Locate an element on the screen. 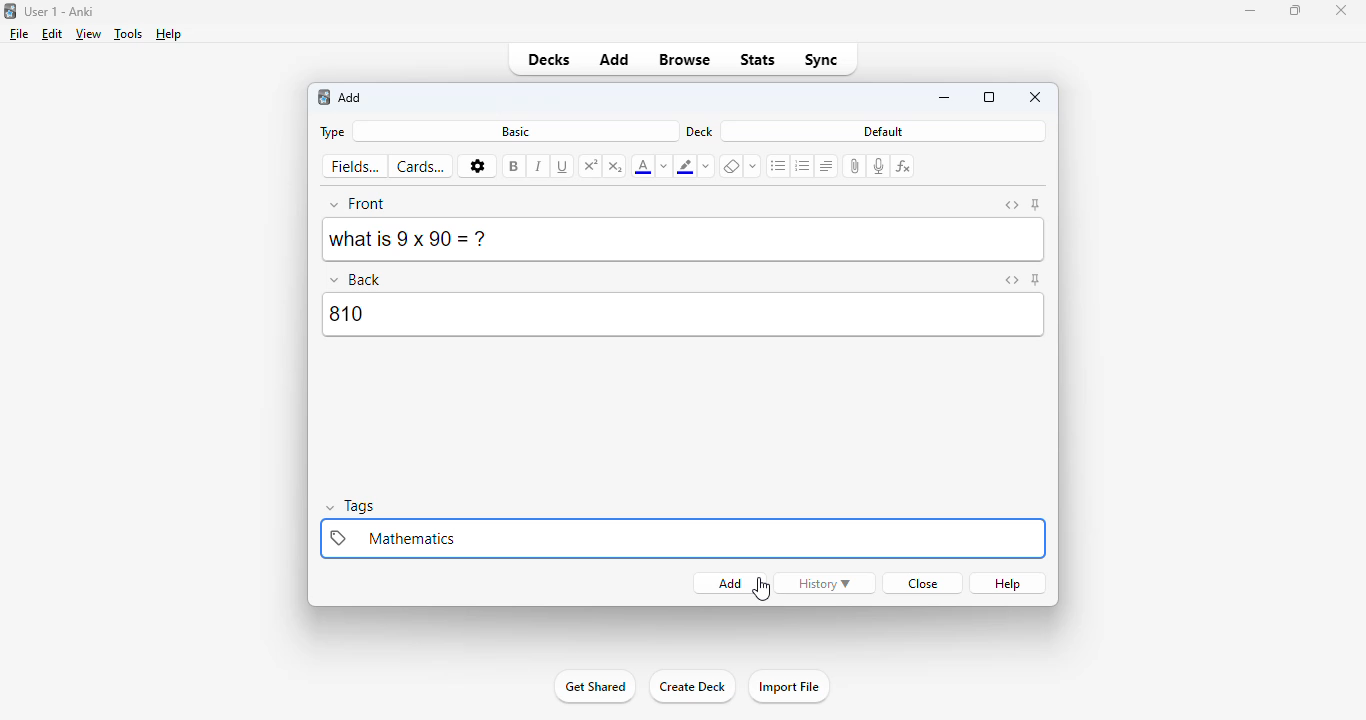 This screenshot has width=1366, height=720. close is located at coordinates (1036, 96).